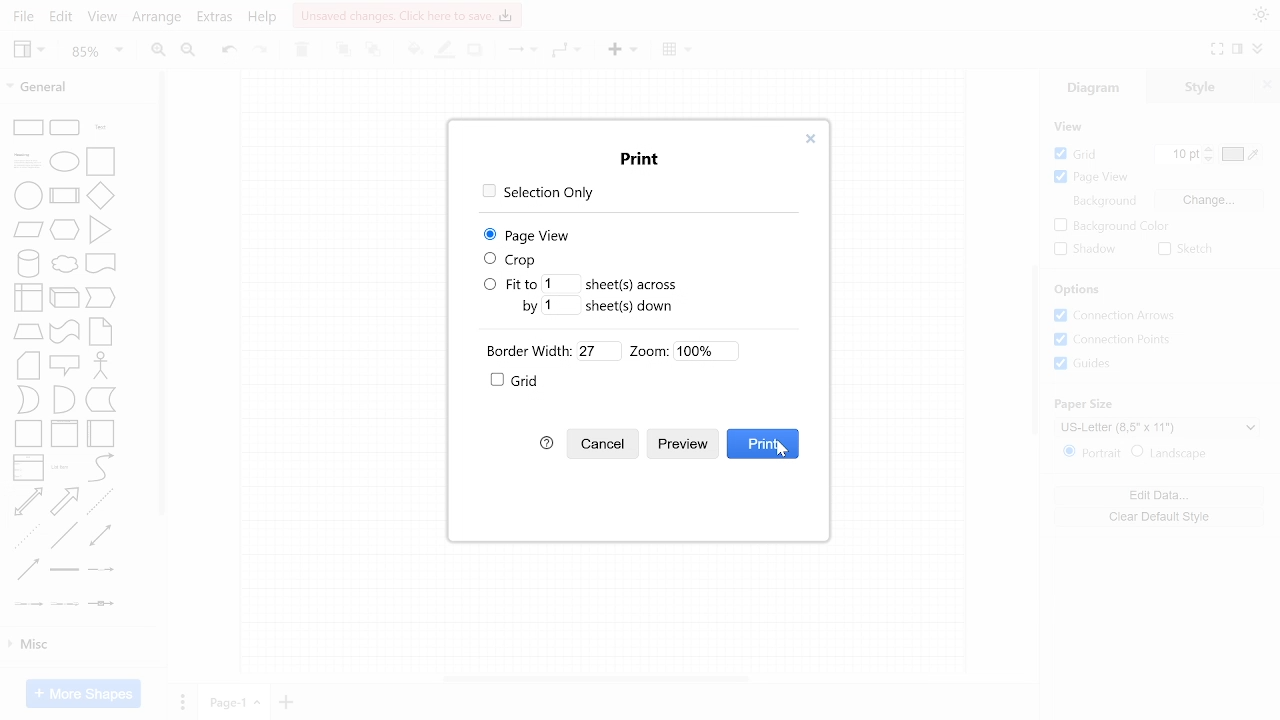  I want to click on Redo, so click(261, 51).